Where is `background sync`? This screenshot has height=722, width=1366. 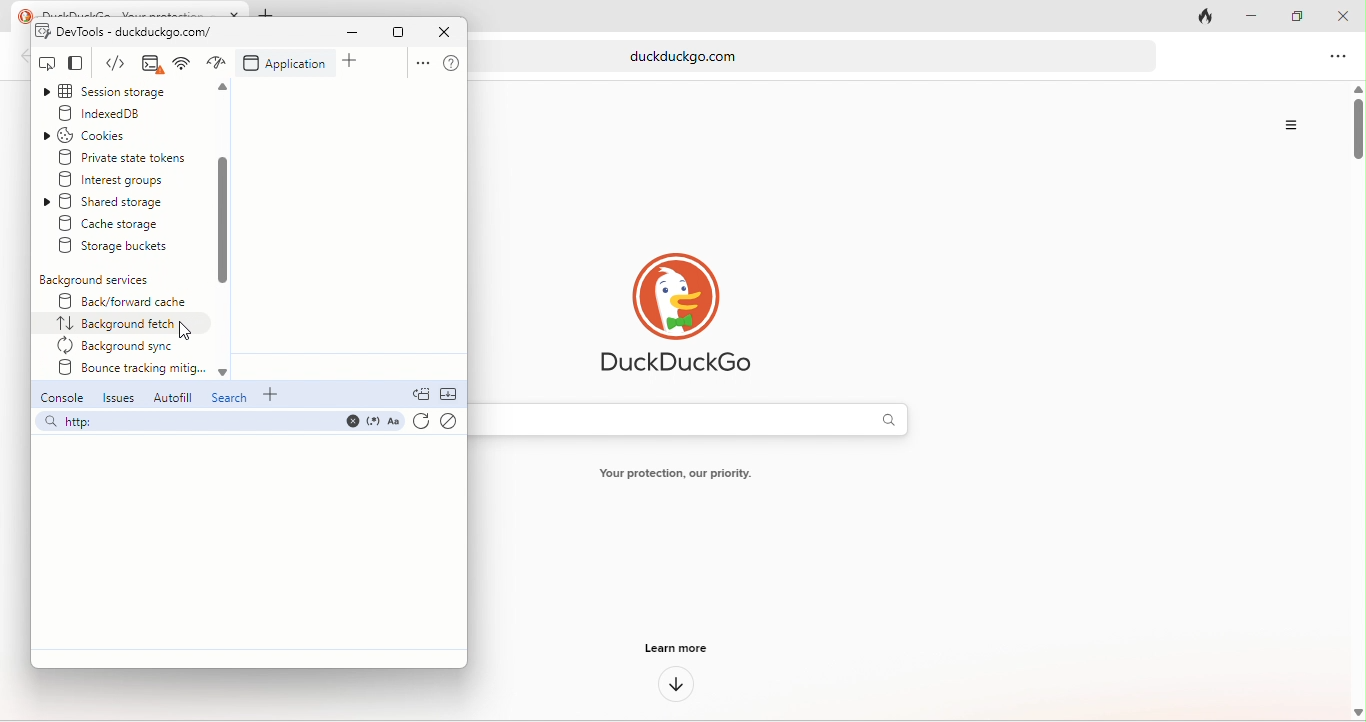 background sync is located at coordinates (120, 346).